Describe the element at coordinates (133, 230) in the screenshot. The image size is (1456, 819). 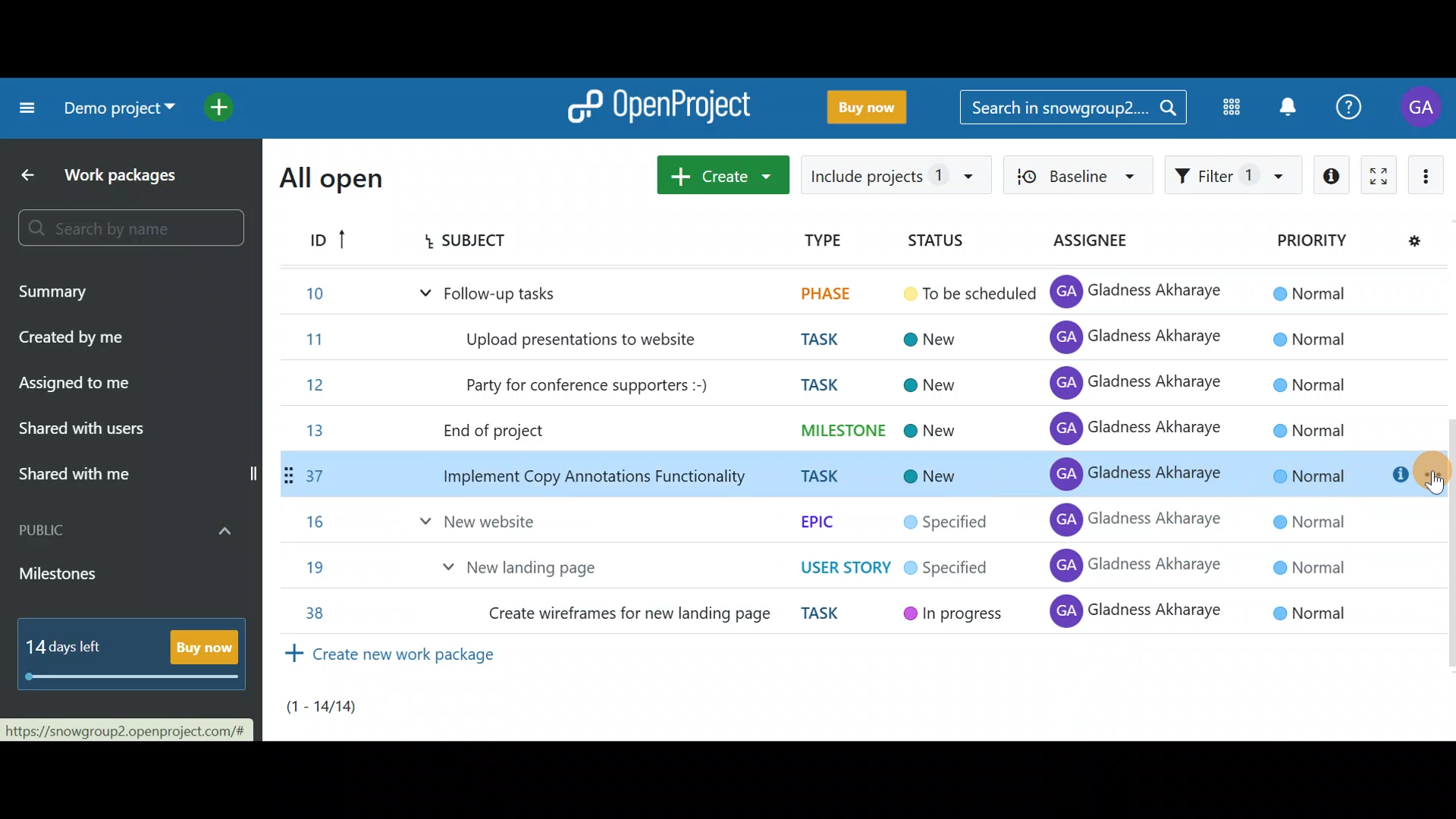
I see `Search bar` at that location.